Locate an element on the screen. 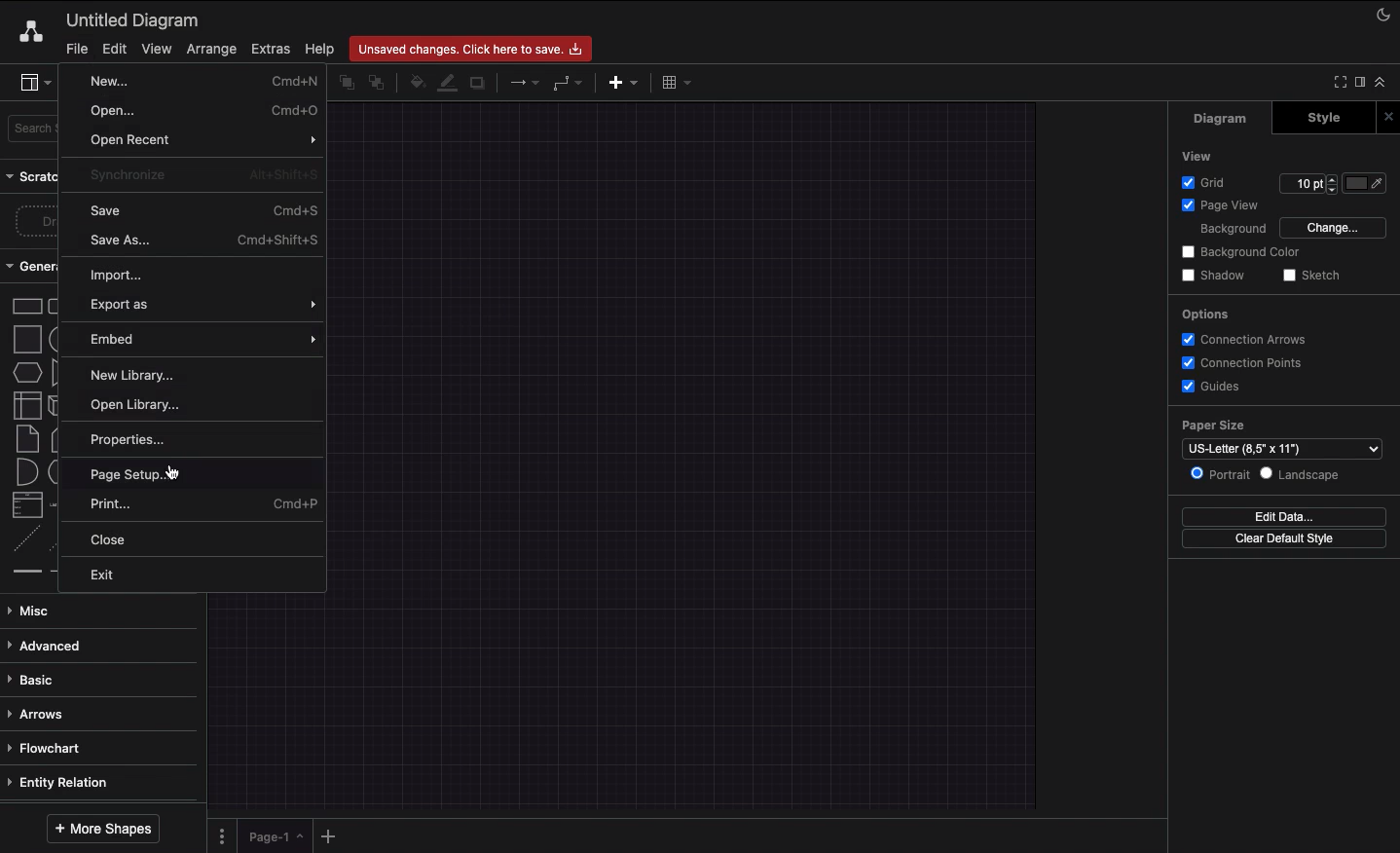 Image resolution: width=1400 pixels, height=853 pixels. Insert is located at coordinates (618, 81).